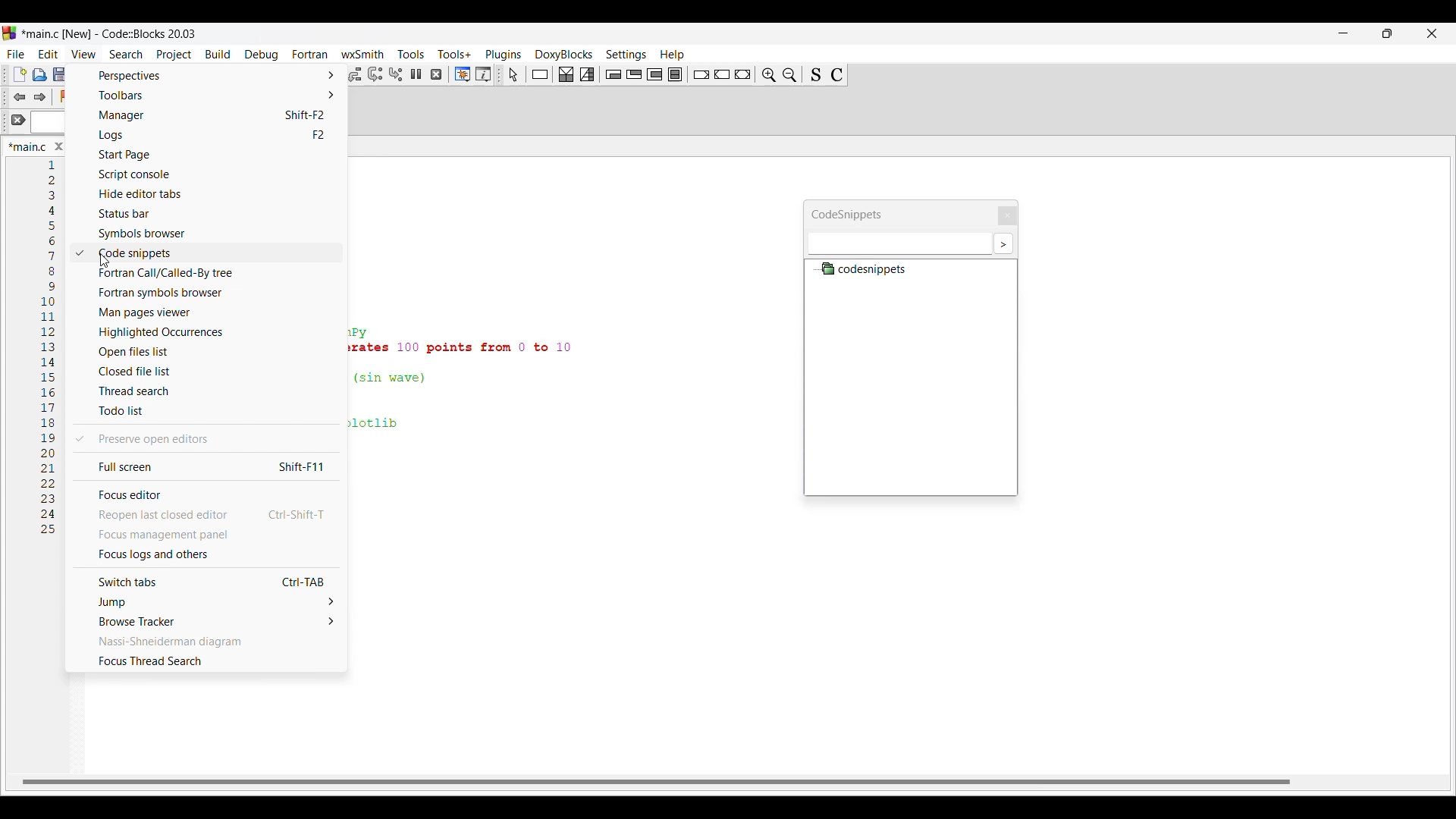 The image size is (1456, 819). What do you see at coordinates (626, 55) in the screenshot?
I see `Settings menu` at bounding box center [626, 55].